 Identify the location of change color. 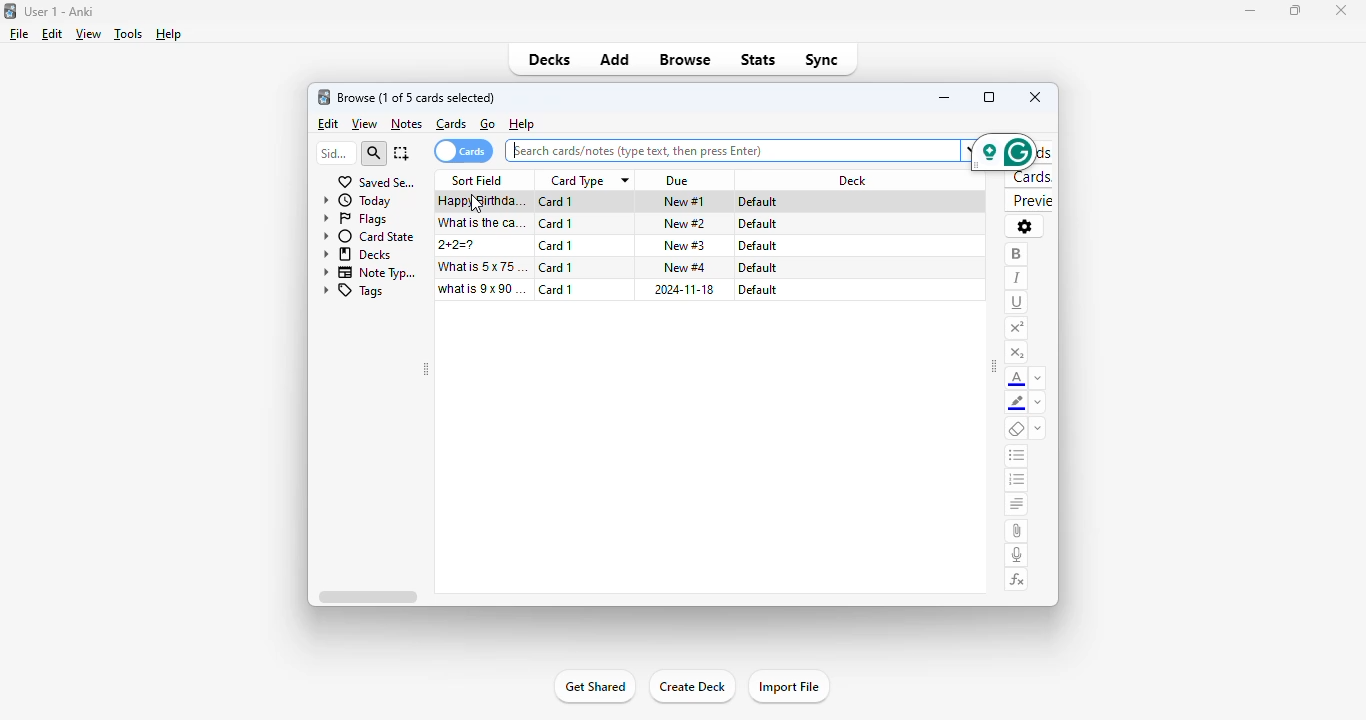
(1038, 377).